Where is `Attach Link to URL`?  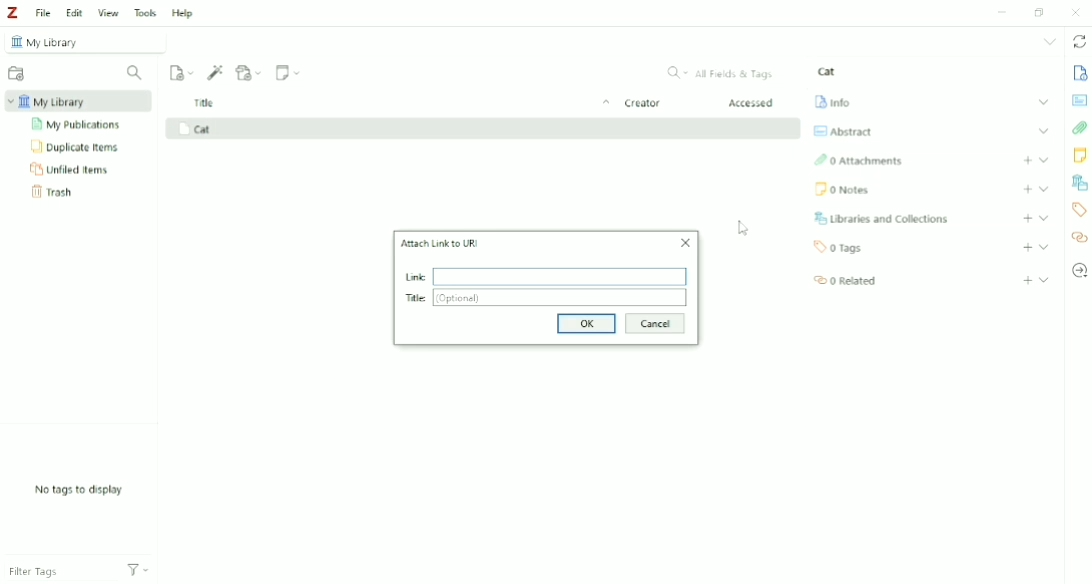
Attach Link to URL is located at coordinates (439, 243).